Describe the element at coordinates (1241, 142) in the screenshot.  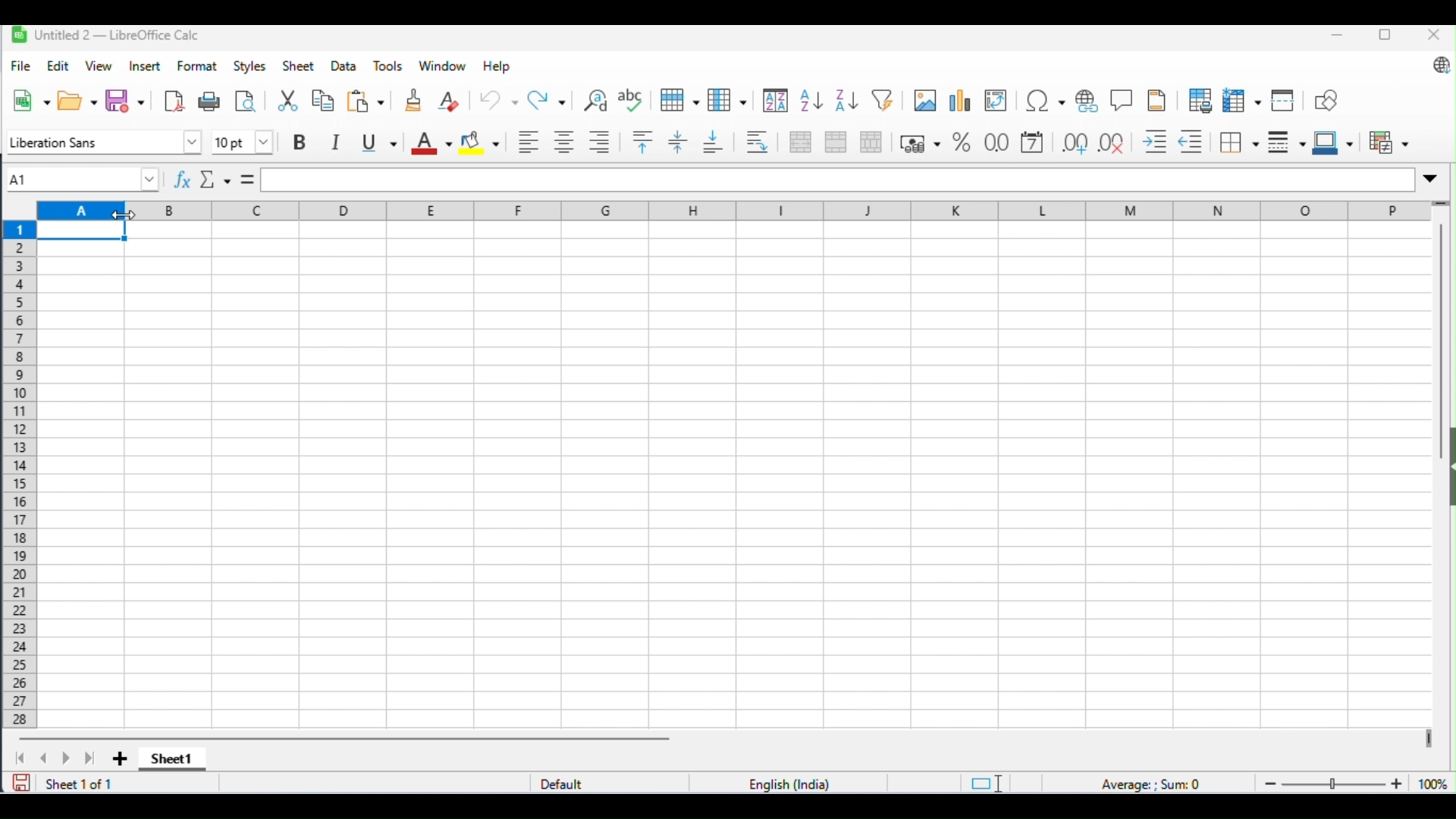
I see `border` at that location.